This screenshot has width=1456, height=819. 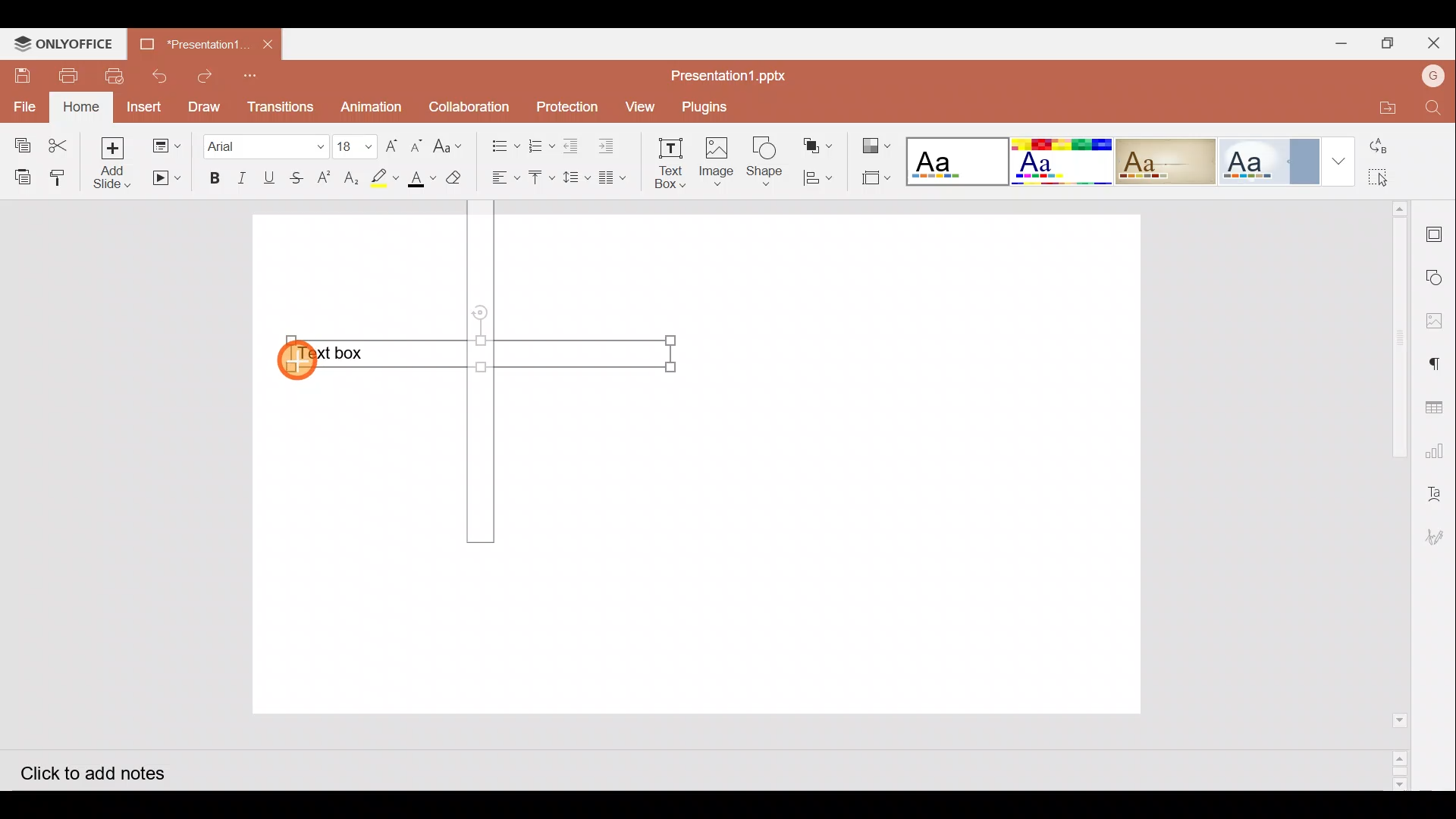 I want to click on Select all, so click(x=1398, y=178).